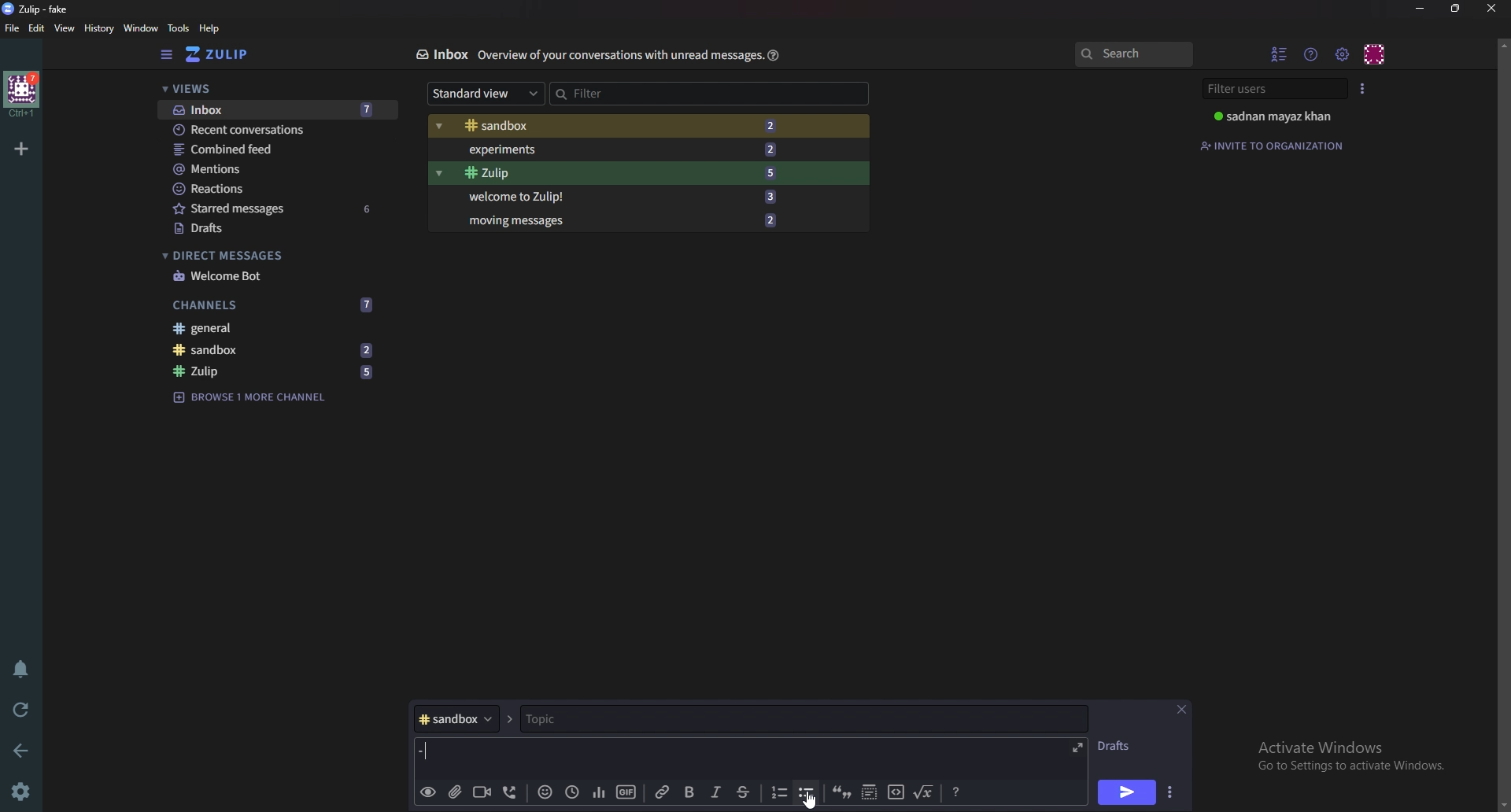 This screenshot has height=812, width=1511. Describe the element at coordinates (814, 799) in the screenshot. I see `Cursor` at that location.